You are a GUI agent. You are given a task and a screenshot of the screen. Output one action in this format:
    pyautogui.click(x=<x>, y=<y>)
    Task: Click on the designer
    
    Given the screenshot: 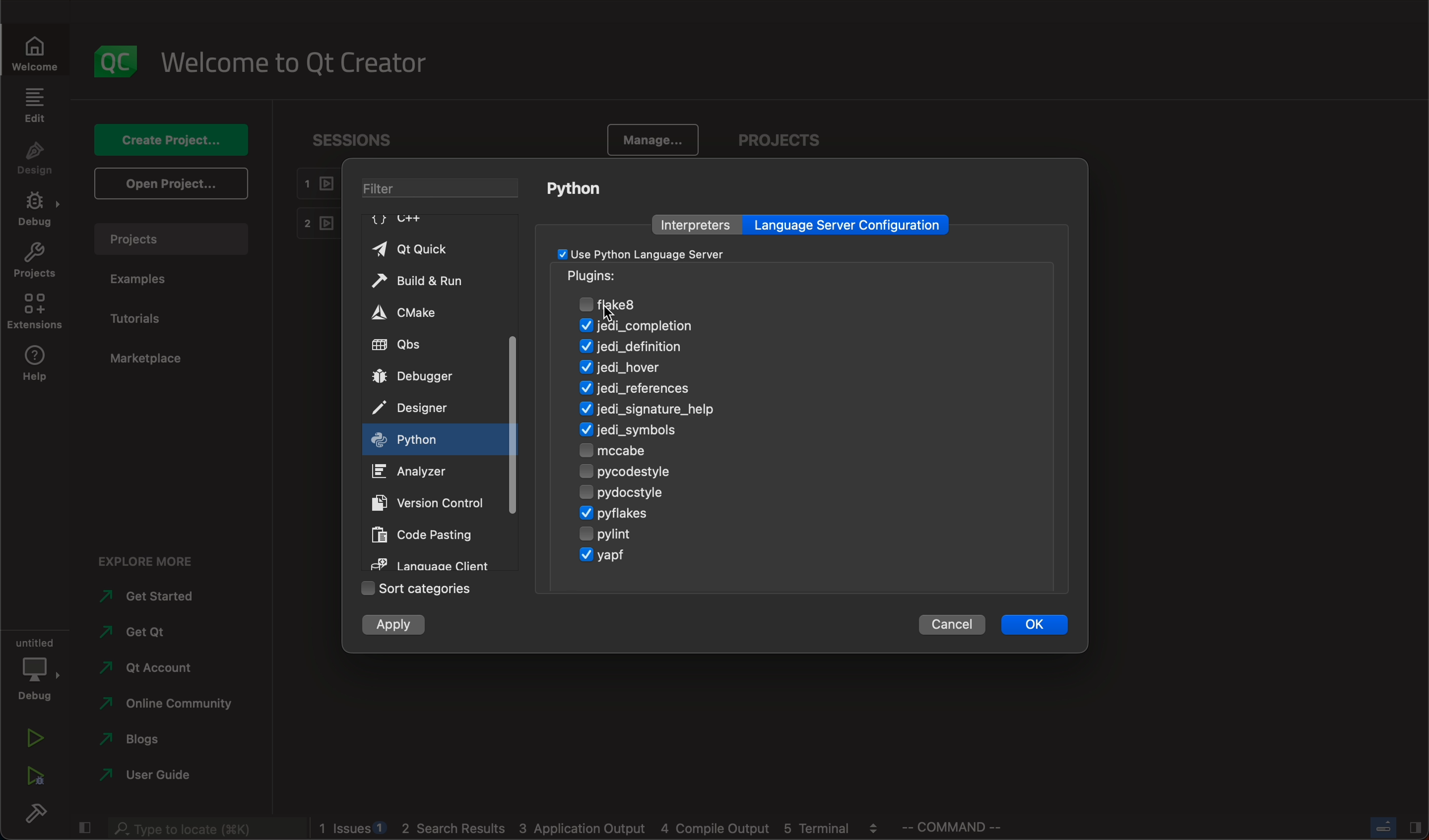 What is the action you would take?
    pyautogui.click(x=424, y=405)
    